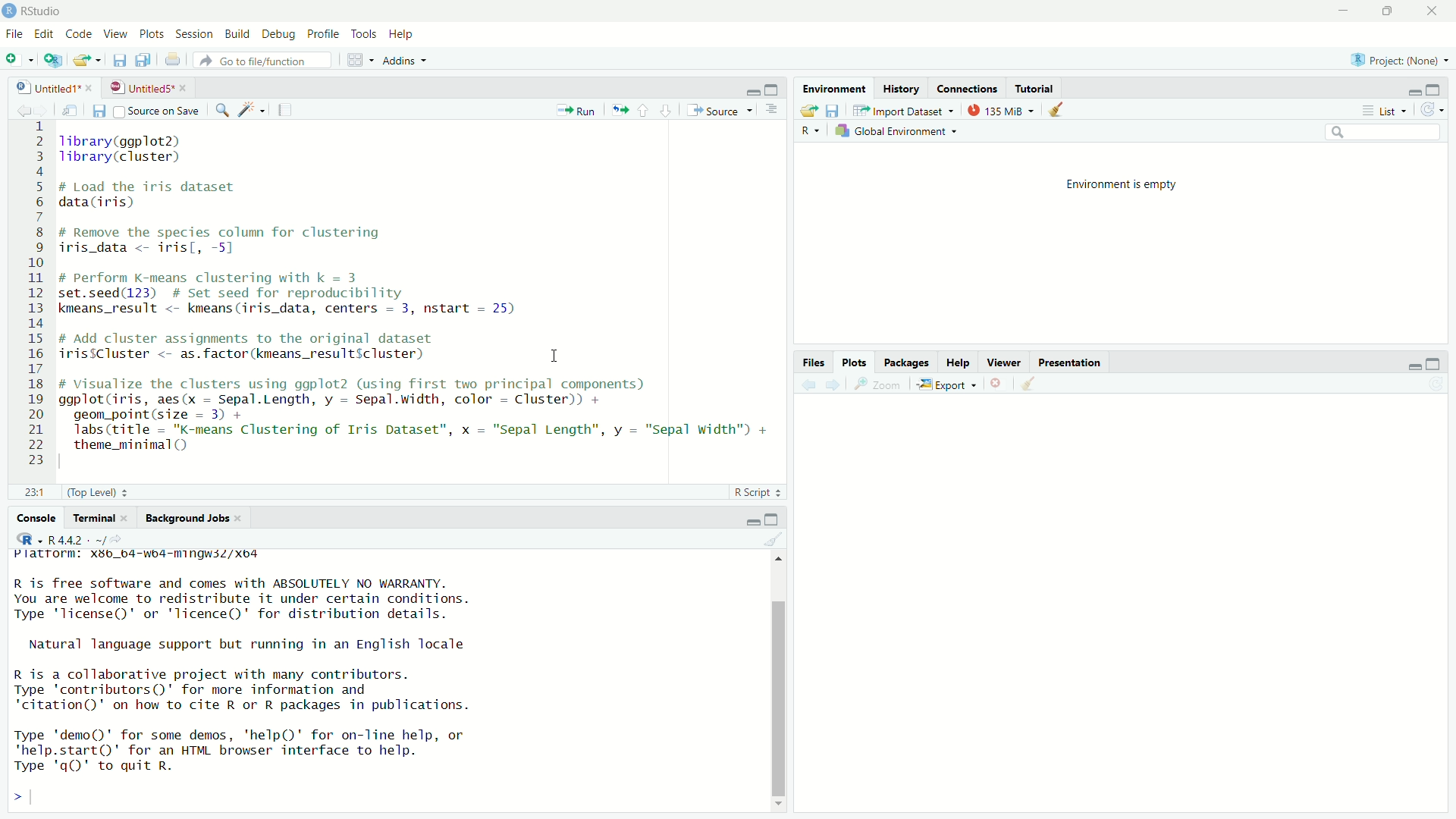 The height and width of the screenshot is (819, 1456). Describe the element at coordinates (406, 34) in the screenshot. I see `help` at that location.